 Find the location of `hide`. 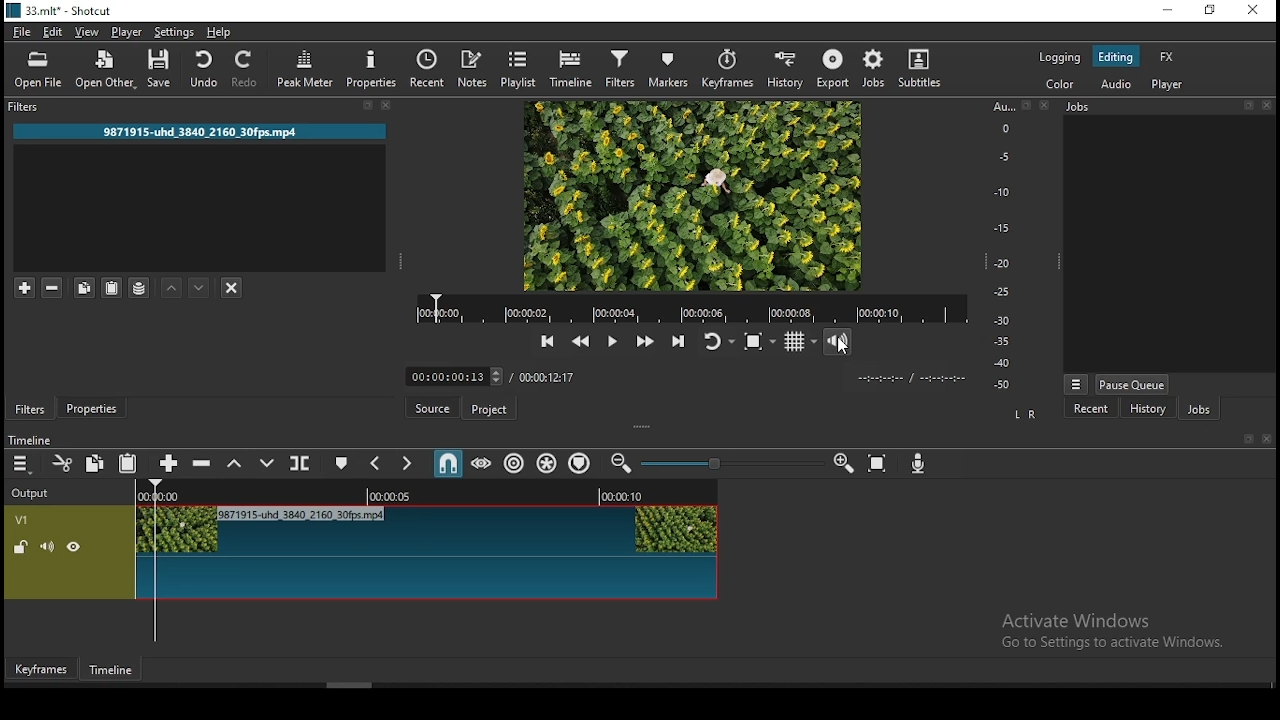

hide is located at coordinates (74, 547).